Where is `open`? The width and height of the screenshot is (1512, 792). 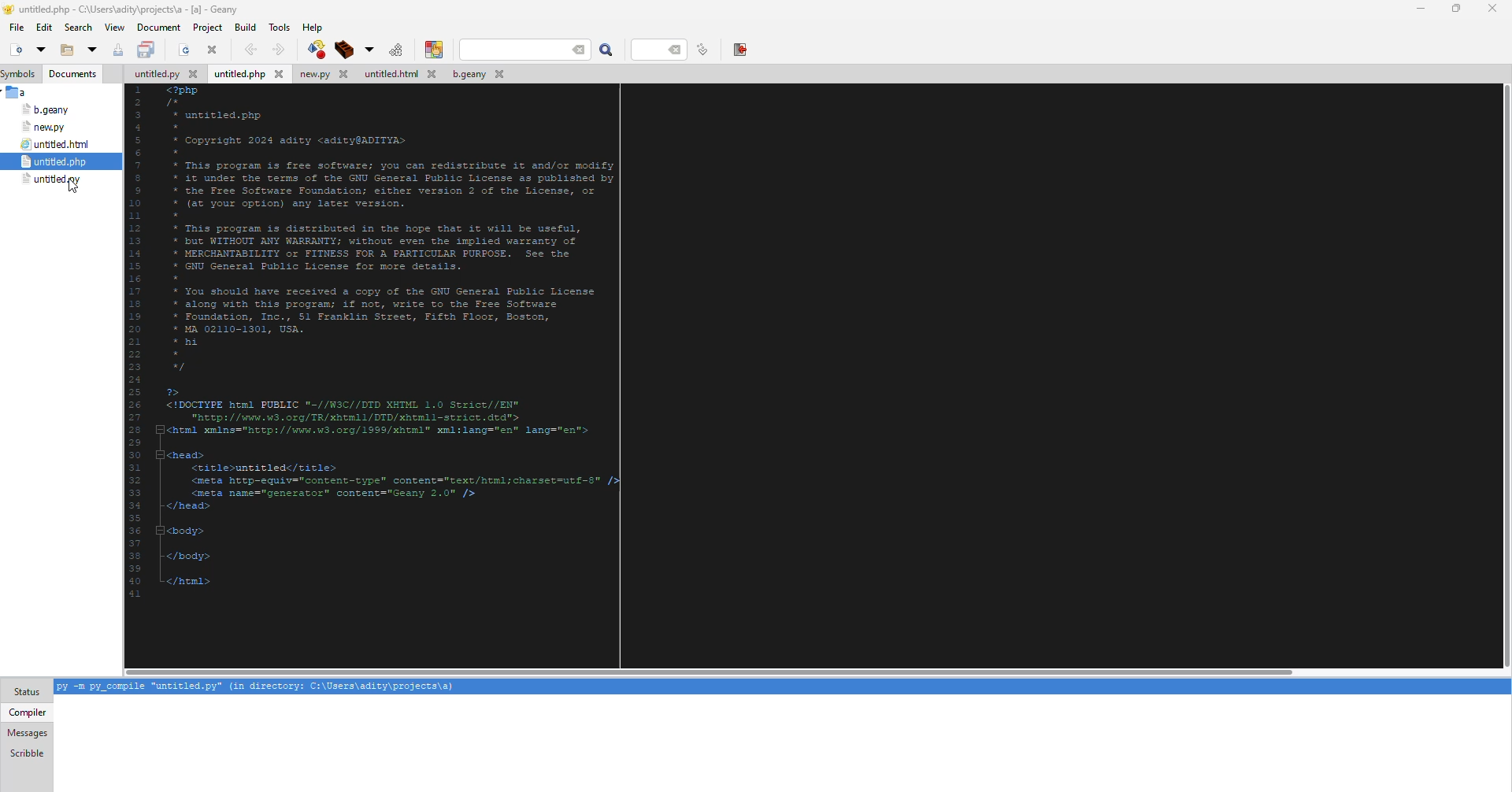 open is located at coordinates (181, 50).